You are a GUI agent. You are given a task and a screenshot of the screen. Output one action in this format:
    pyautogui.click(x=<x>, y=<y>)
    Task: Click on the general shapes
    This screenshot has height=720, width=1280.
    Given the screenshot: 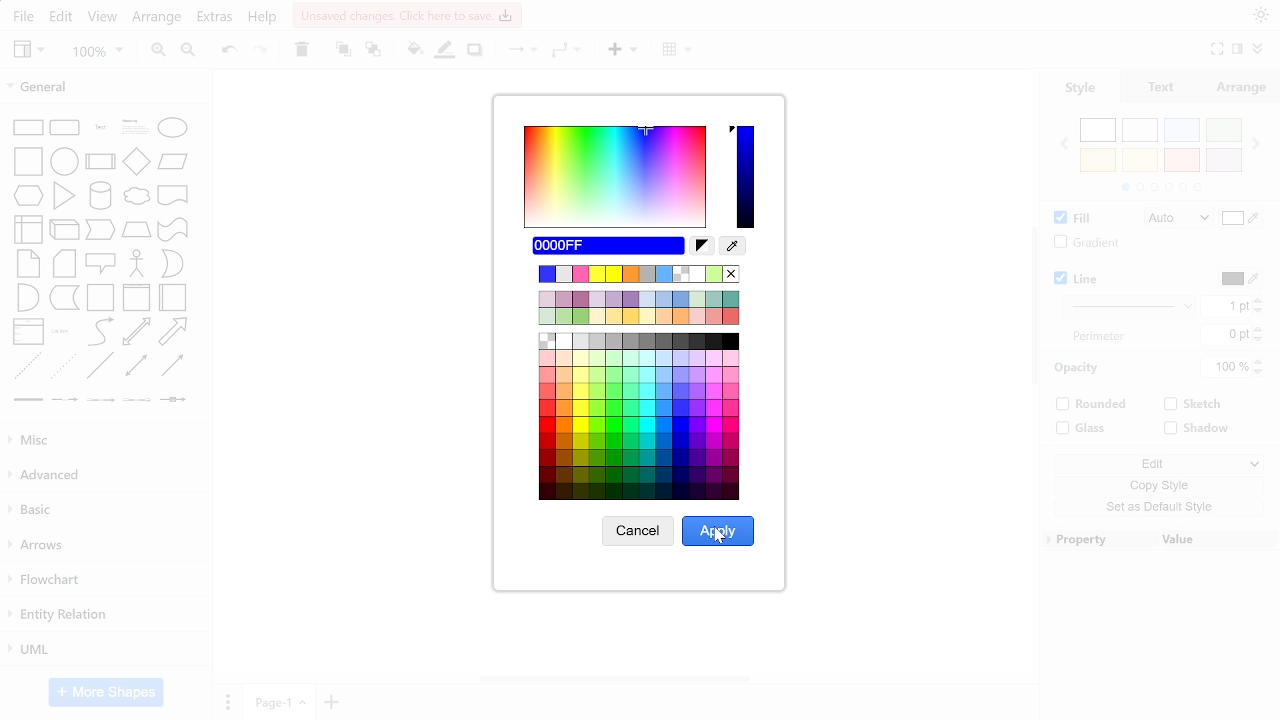 What is the action you would take?
    pyautogui.click(x=104, y=259)
    